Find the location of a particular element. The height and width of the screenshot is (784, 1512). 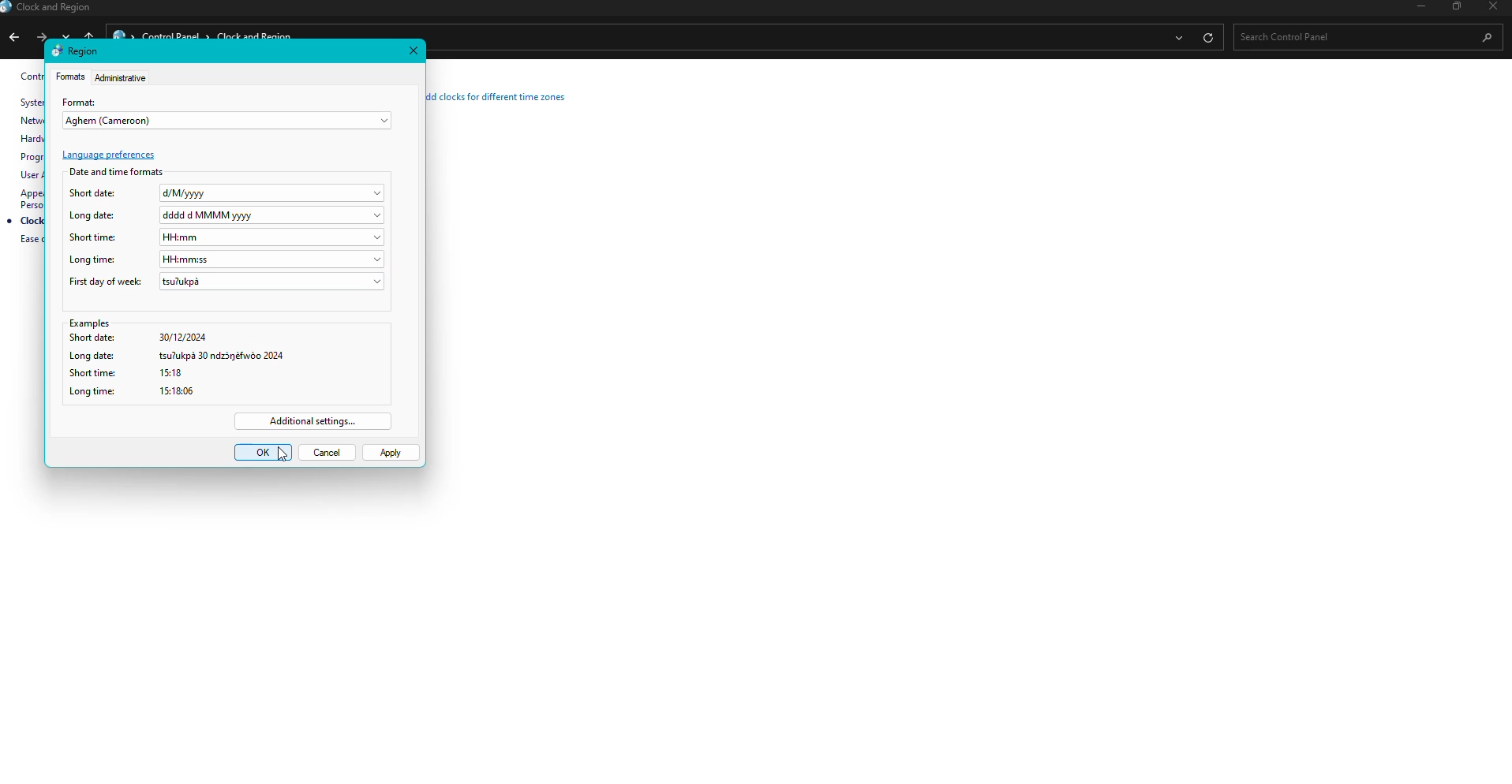

Apply is located at coordinates (391, 454).